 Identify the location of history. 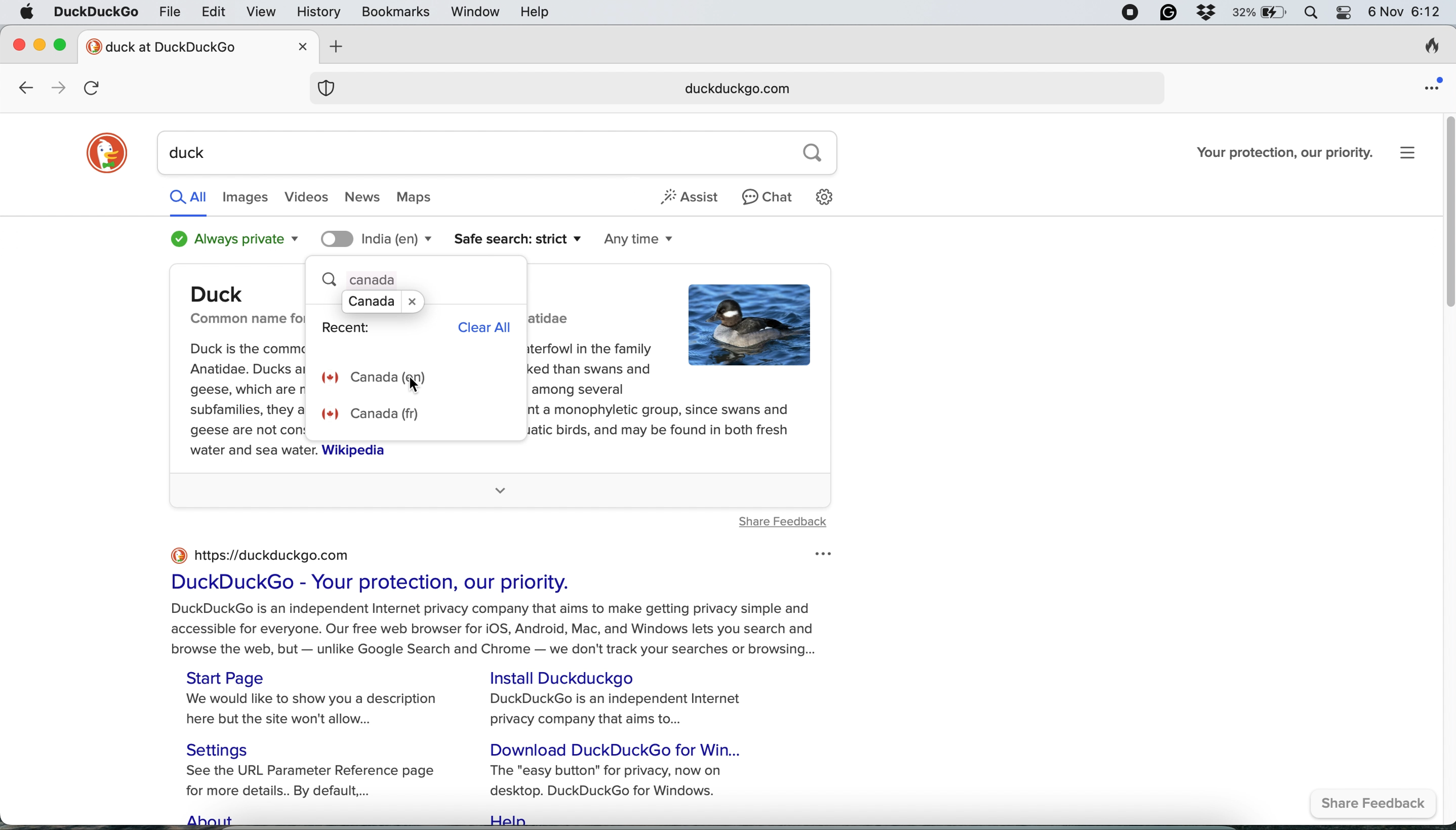
(317, 12).